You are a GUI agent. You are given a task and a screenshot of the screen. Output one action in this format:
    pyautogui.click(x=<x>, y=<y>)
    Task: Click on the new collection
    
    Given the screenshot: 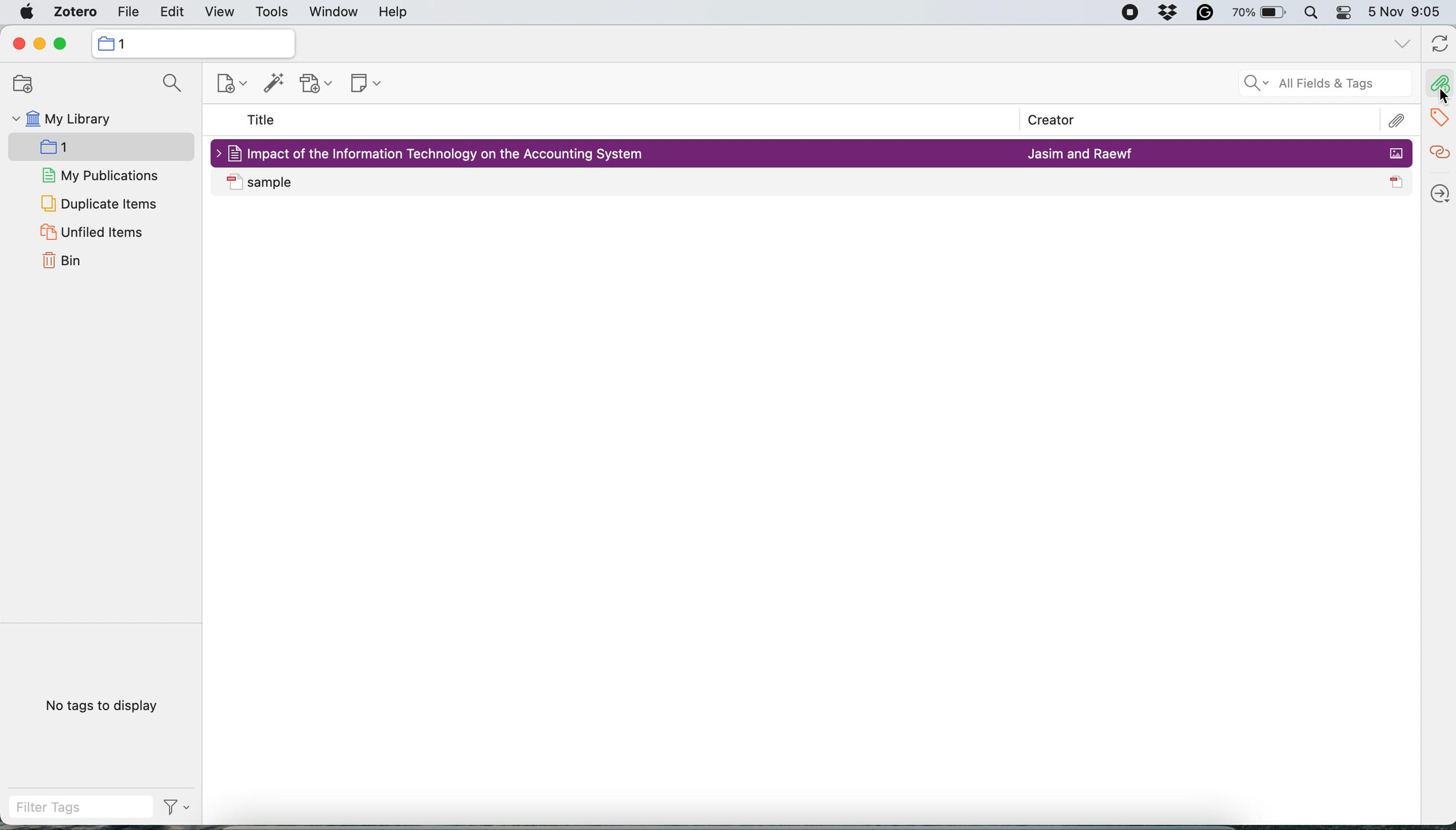 What is the action you would take?
    pyautogui.click(x=223, y=86)
    